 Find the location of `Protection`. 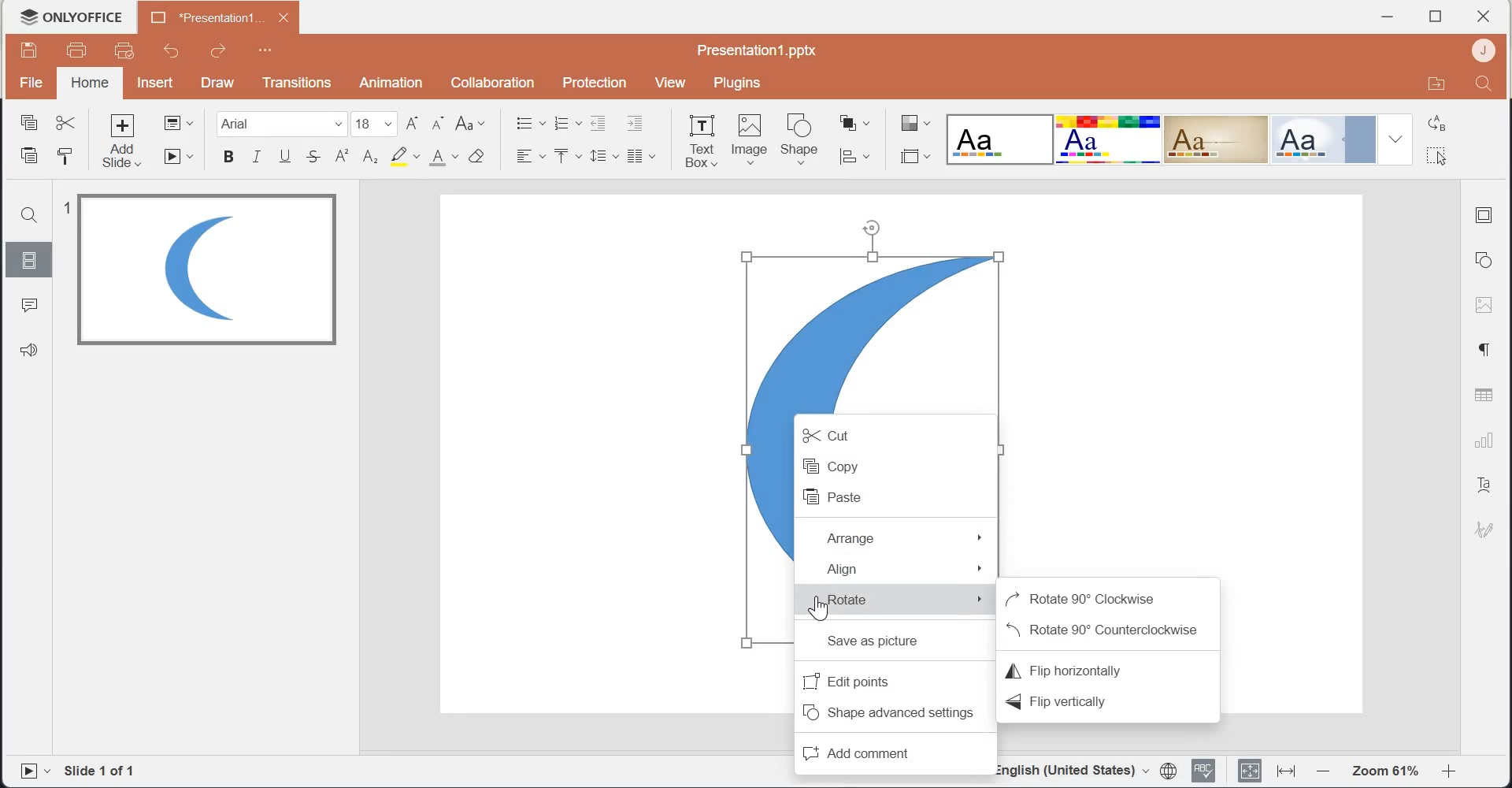

Protection is located at coordinates (589, 84).